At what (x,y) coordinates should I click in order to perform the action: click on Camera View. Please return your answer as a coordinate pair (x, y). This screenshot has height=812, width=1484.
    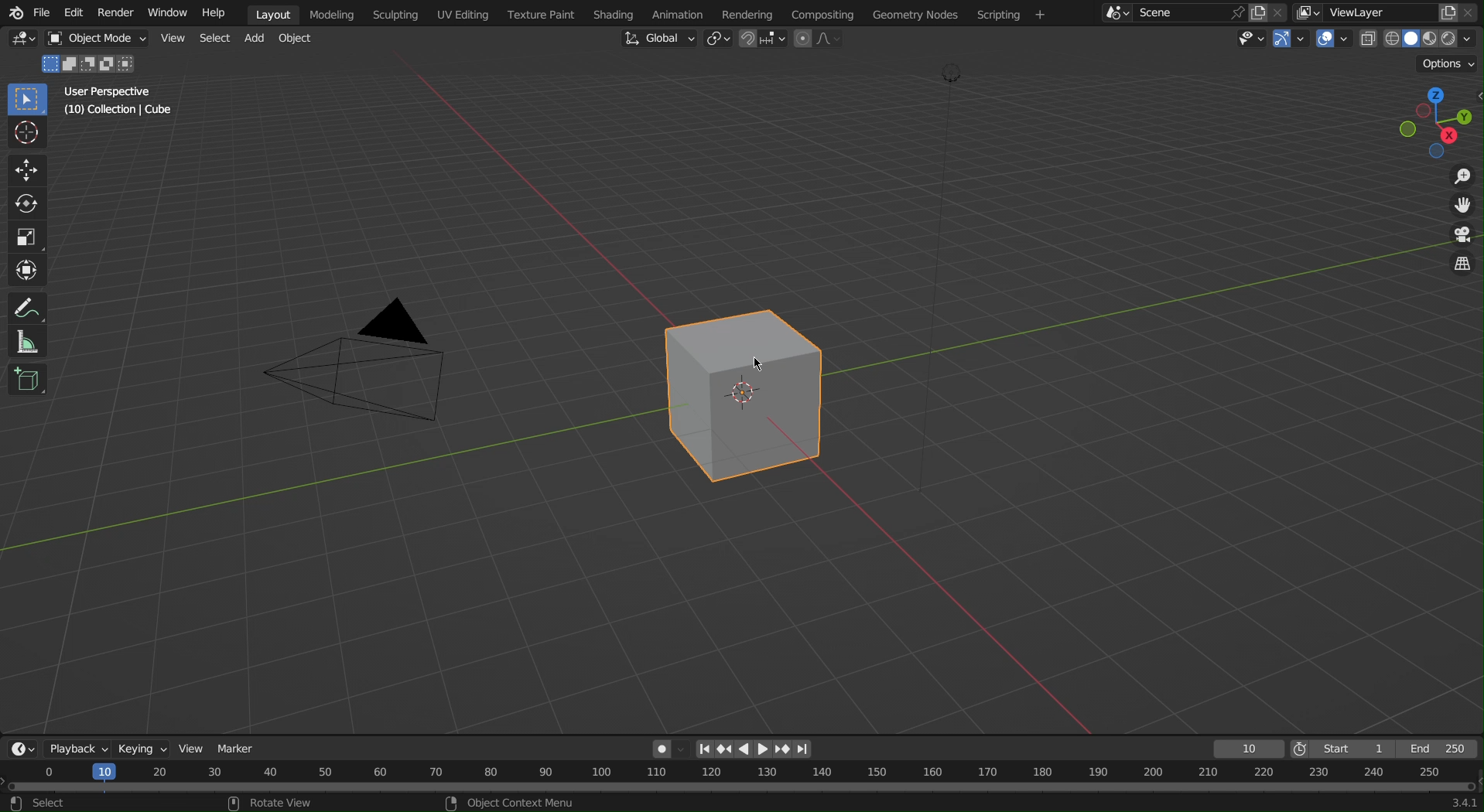
    Looking at the image, I should click on (1460, 237).